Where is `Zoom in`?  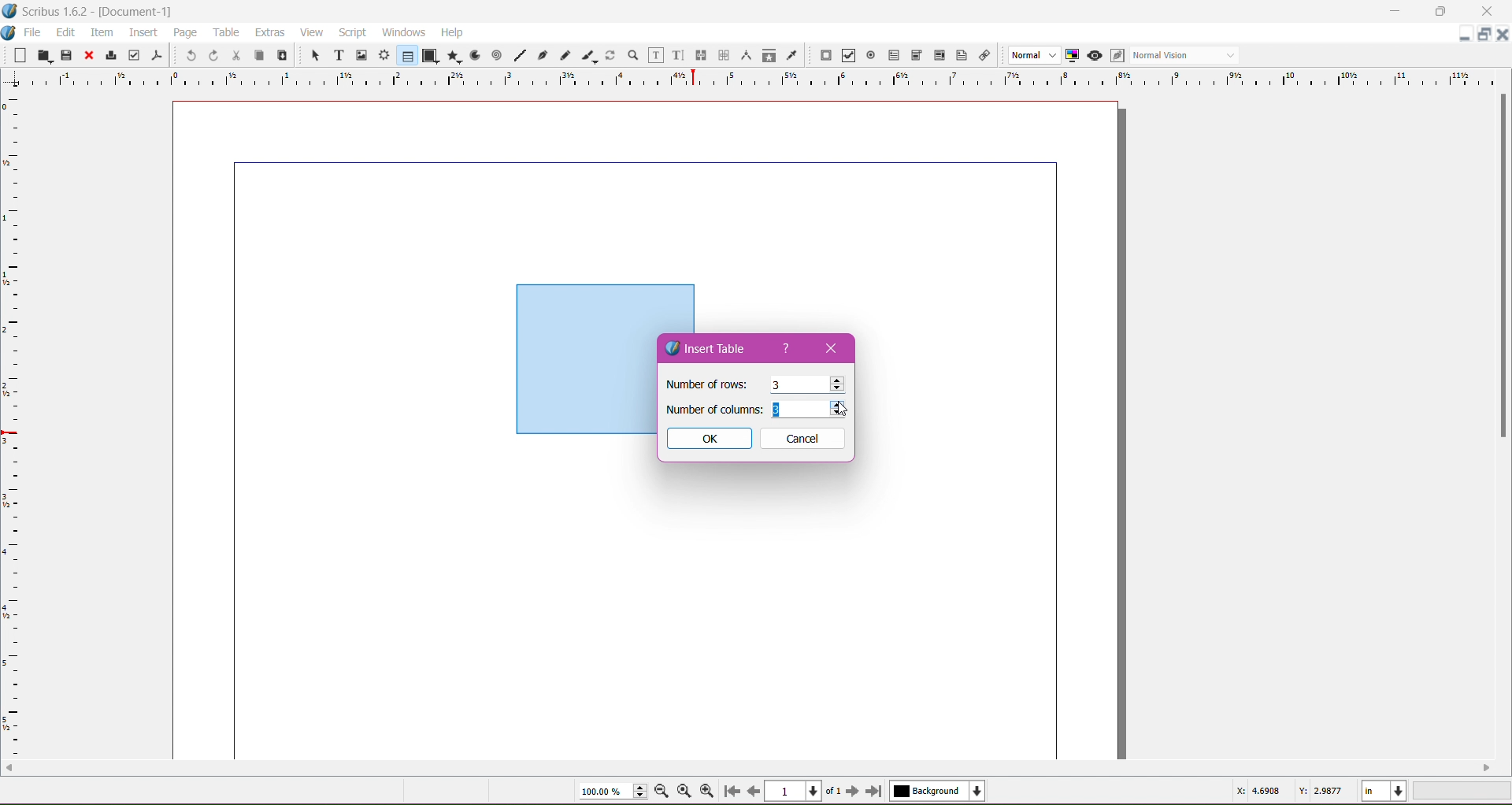 Zoom in is located at coordinates (708, 791).